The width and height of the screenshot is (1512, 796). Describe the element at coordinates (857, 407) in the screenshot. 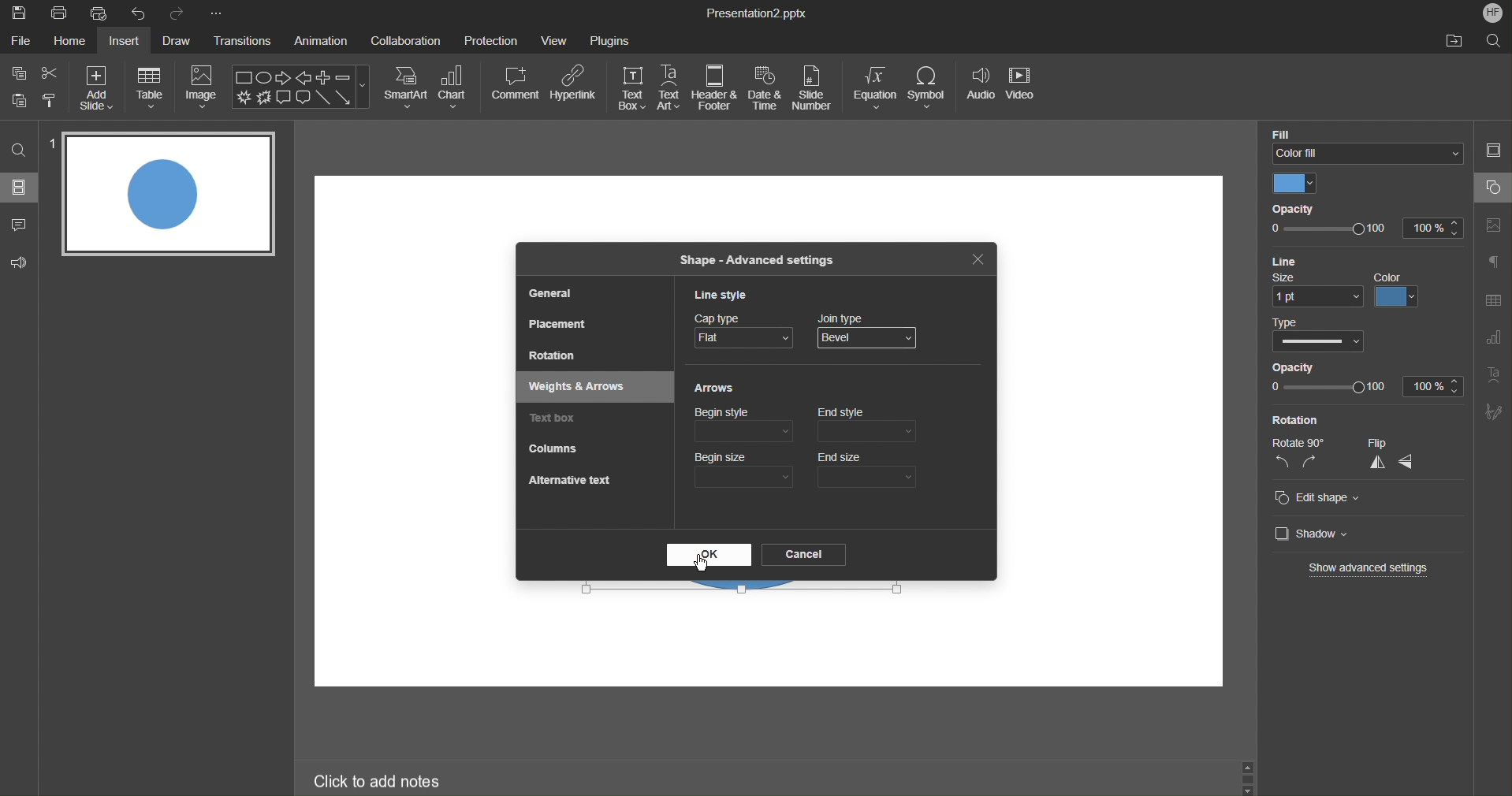

I see `Cursor` at that location.